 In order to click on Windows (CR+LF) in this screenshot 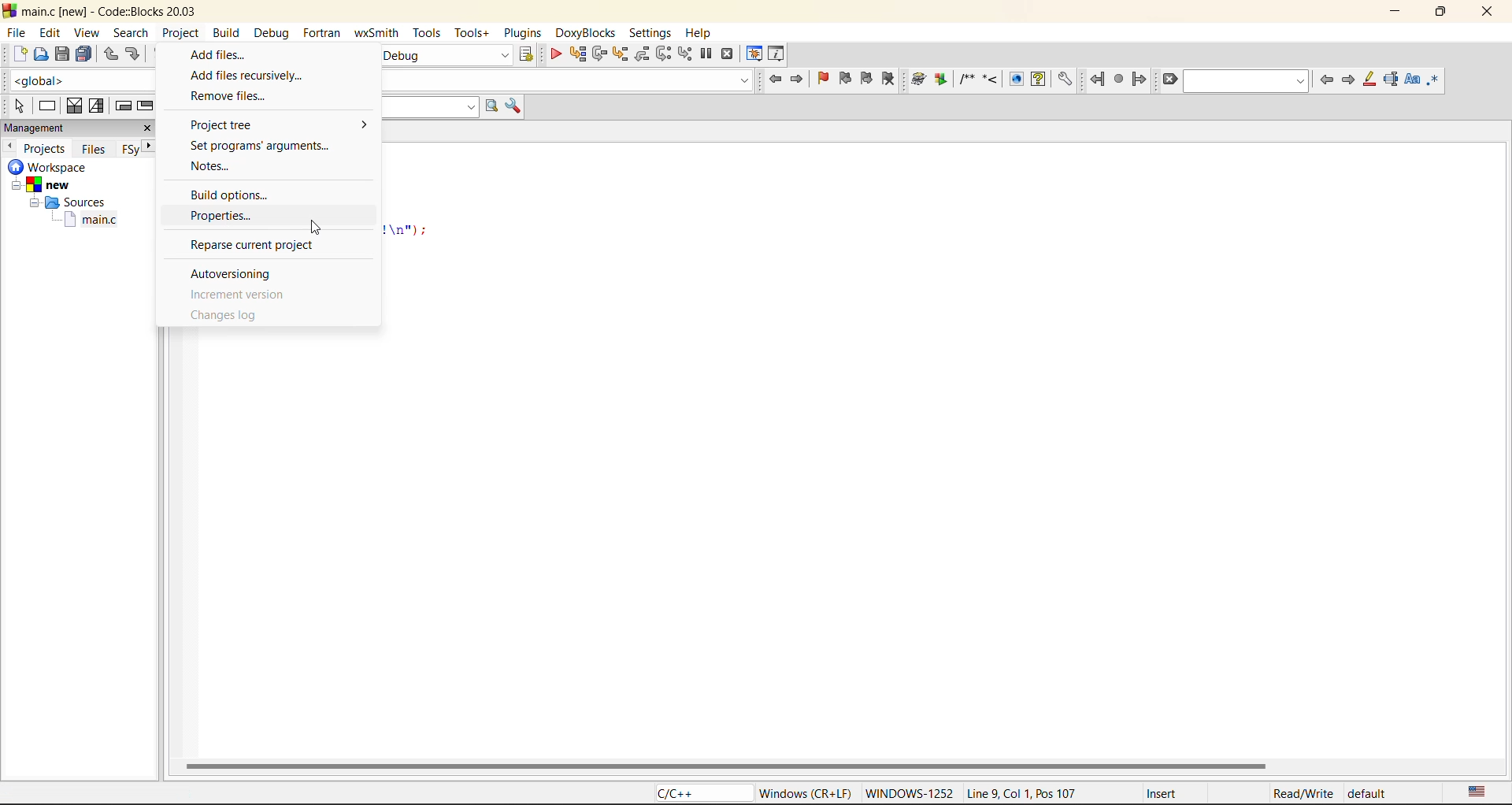, I will do `click(802, 792)`.